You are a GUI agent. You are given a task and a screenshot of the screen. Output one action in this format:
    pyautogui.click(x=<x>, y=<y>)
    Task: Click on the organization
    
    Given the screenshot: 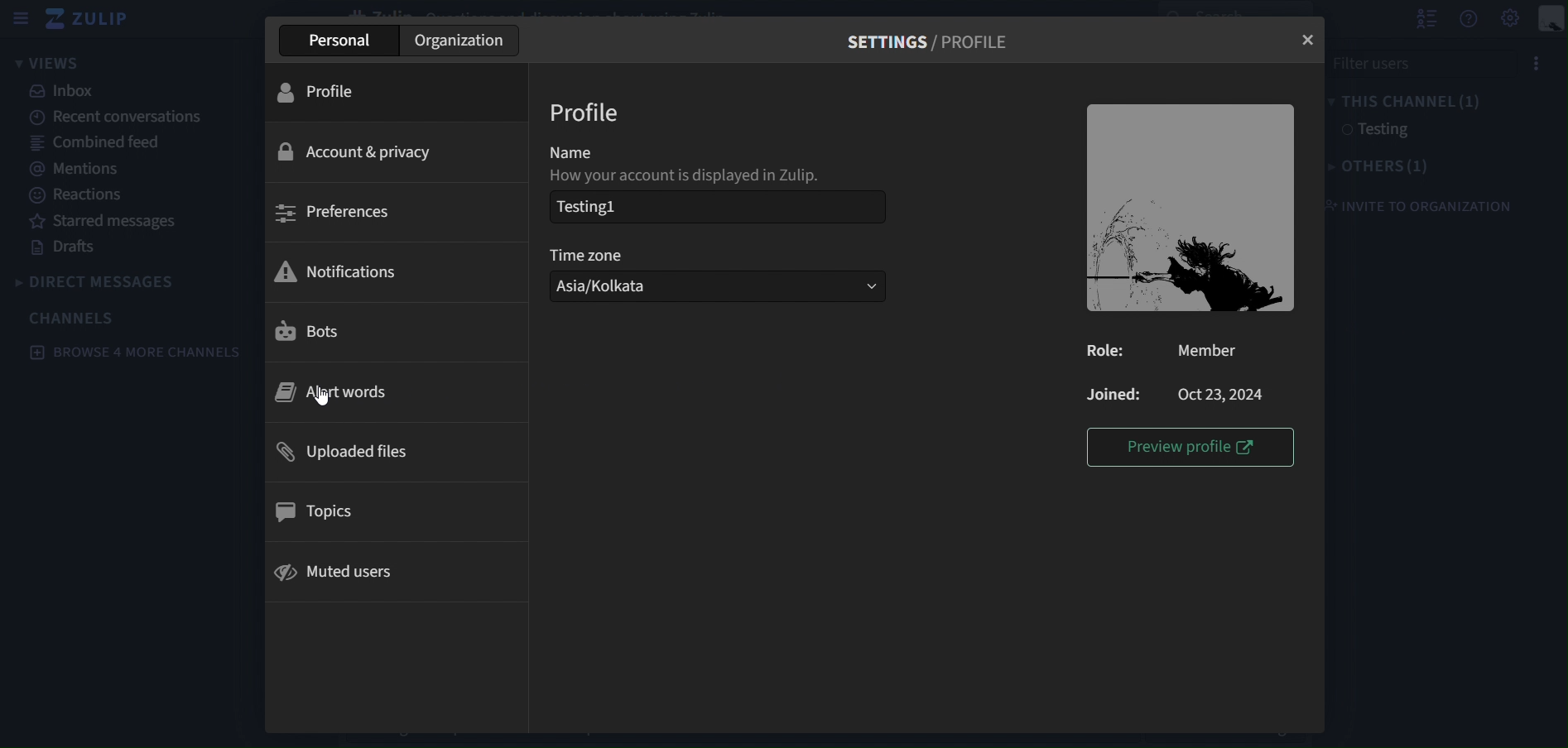 What is the action you would take?
    pyautogui.click(x=464, y=40)
    